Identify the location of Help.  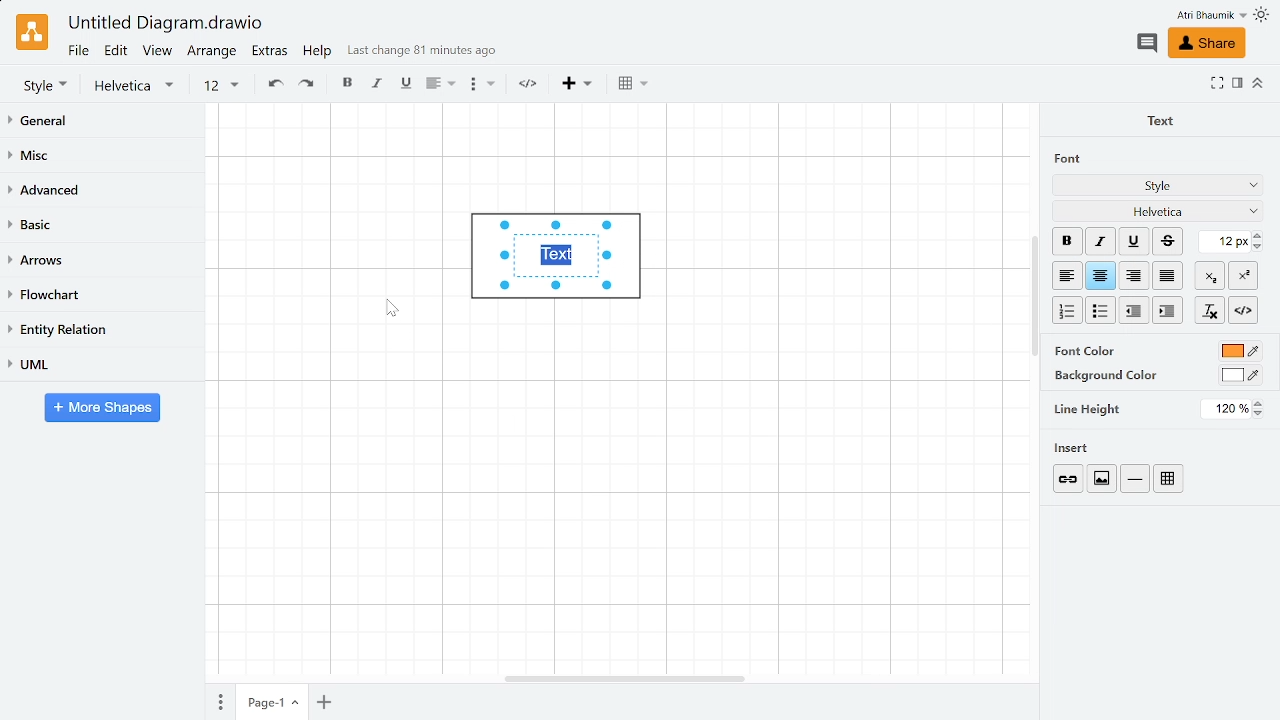
(319, 54).